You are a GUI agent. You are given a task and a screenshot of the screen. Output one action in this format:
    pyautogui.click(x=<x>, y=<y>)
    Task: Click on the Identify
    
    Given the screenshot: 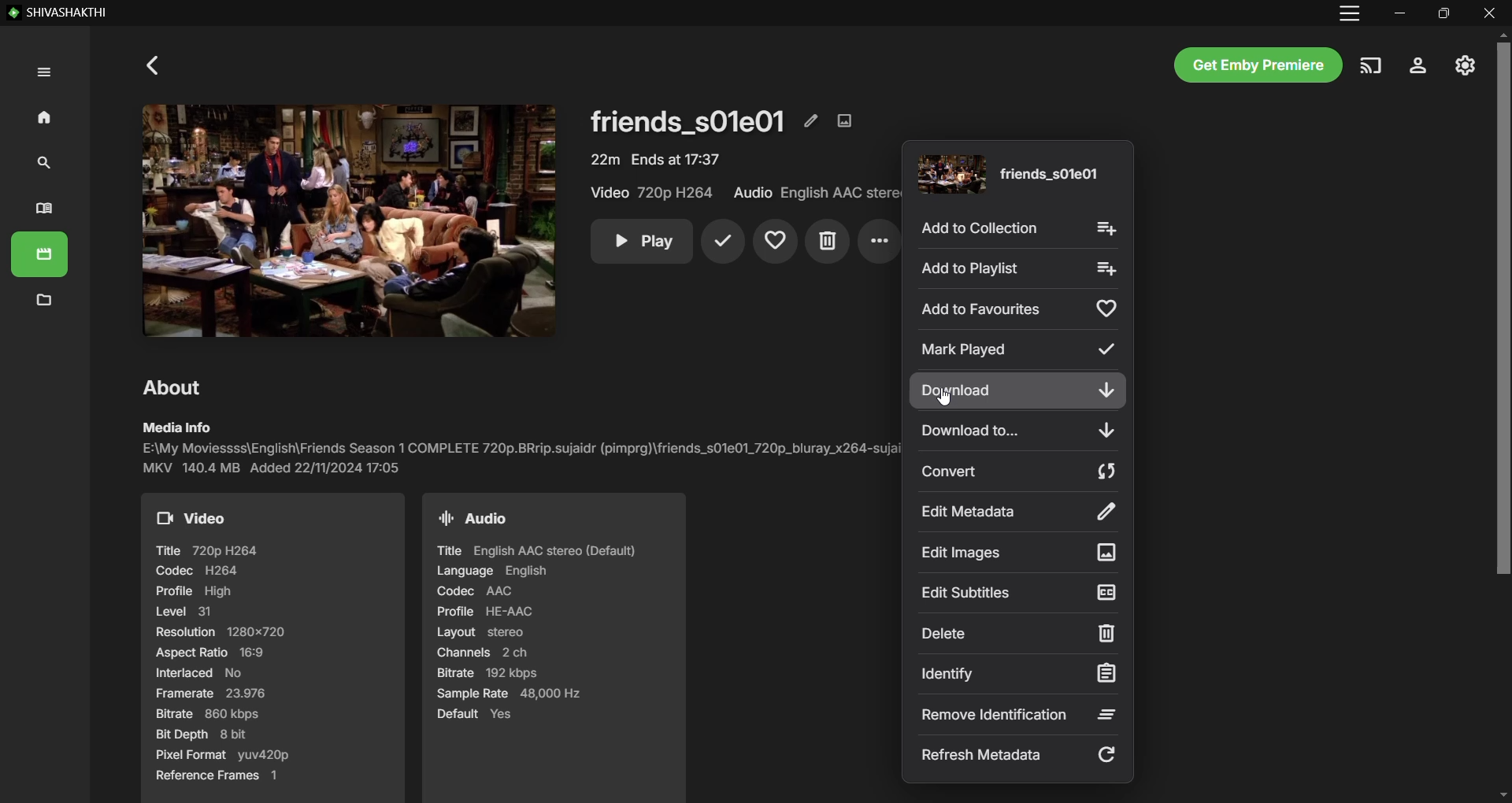 What is the action you would take?
    pyautogui.click(x=1021, y=674)
    